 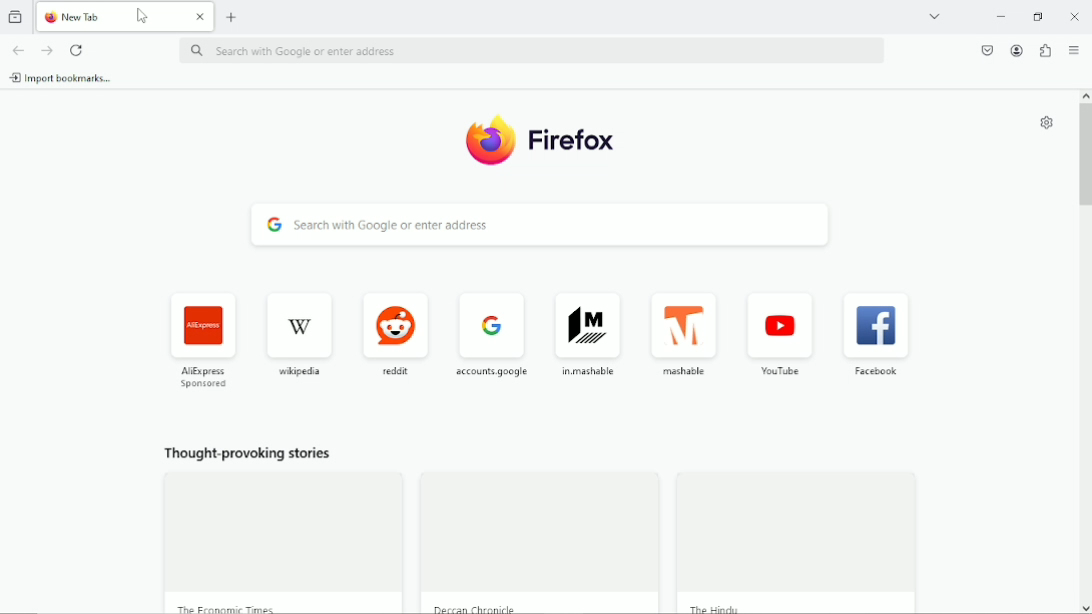 What do you see at coordinates (1016, 51) in the screenshot?
I see `Account` at bounding box center [1016, 51].